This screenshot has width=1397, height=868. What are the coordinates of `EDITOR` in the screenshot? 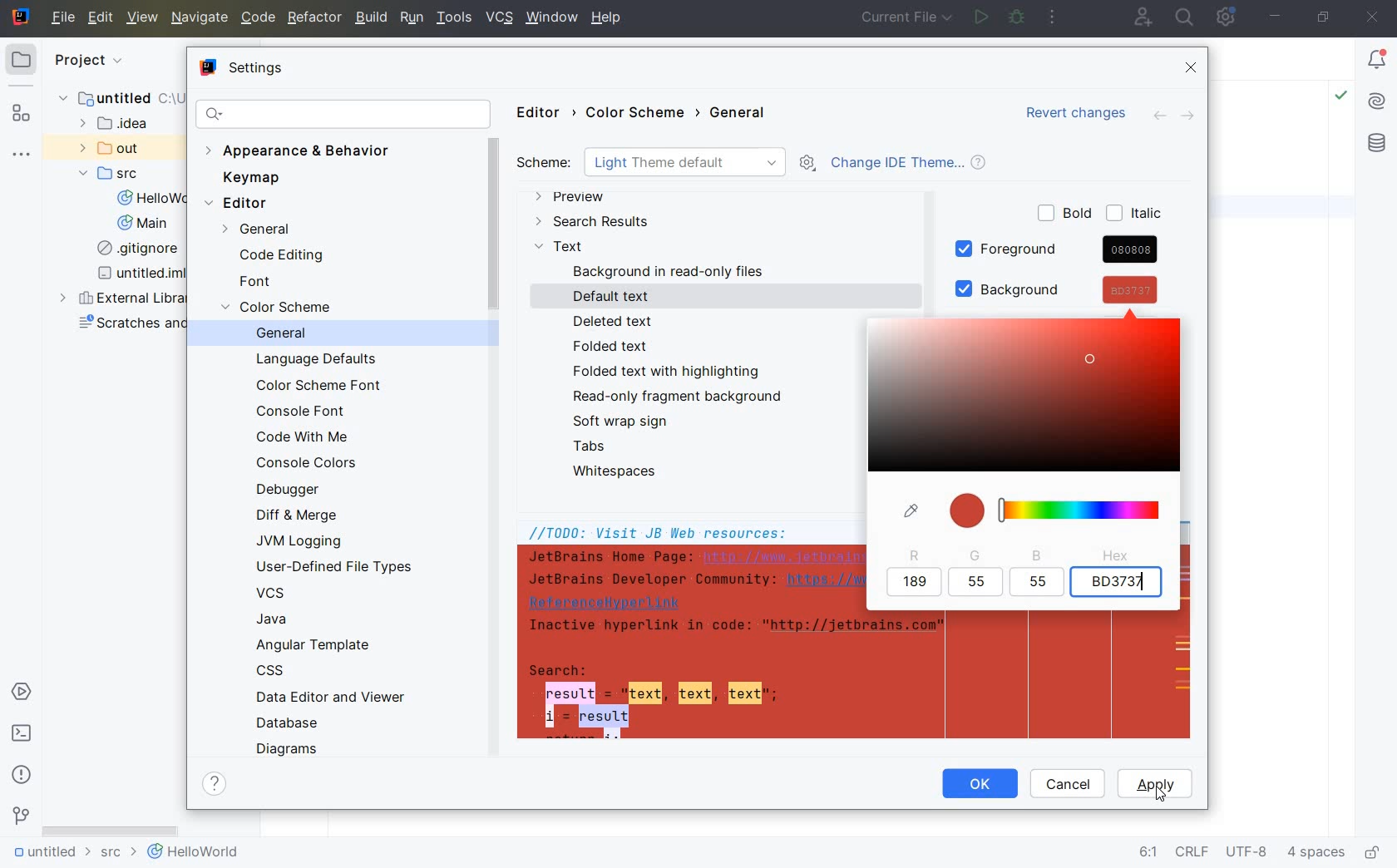 It's located at (544, 113).